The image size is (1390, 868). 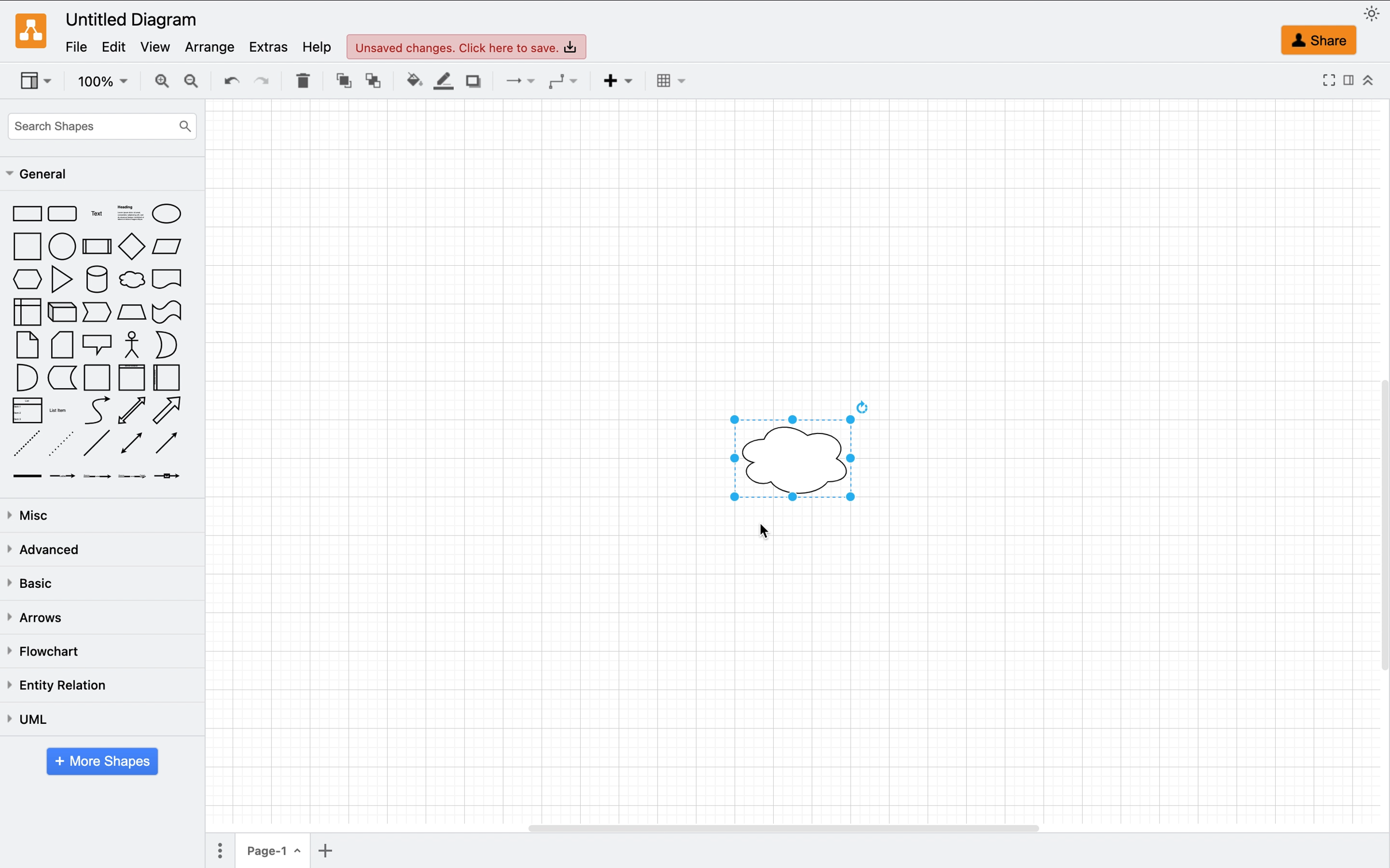 I want to click on ellipse, so click(x=167, y=215).